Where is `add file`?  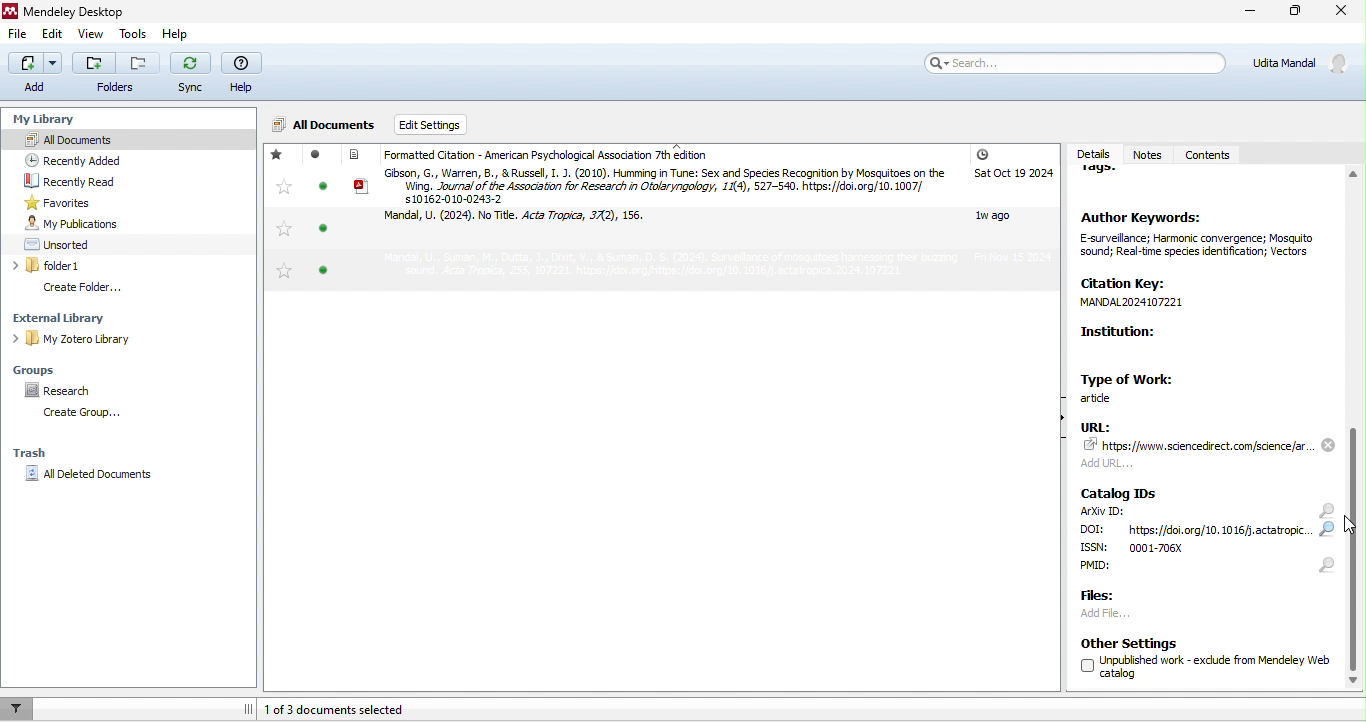 add file is located at coordinates (1128, 616).